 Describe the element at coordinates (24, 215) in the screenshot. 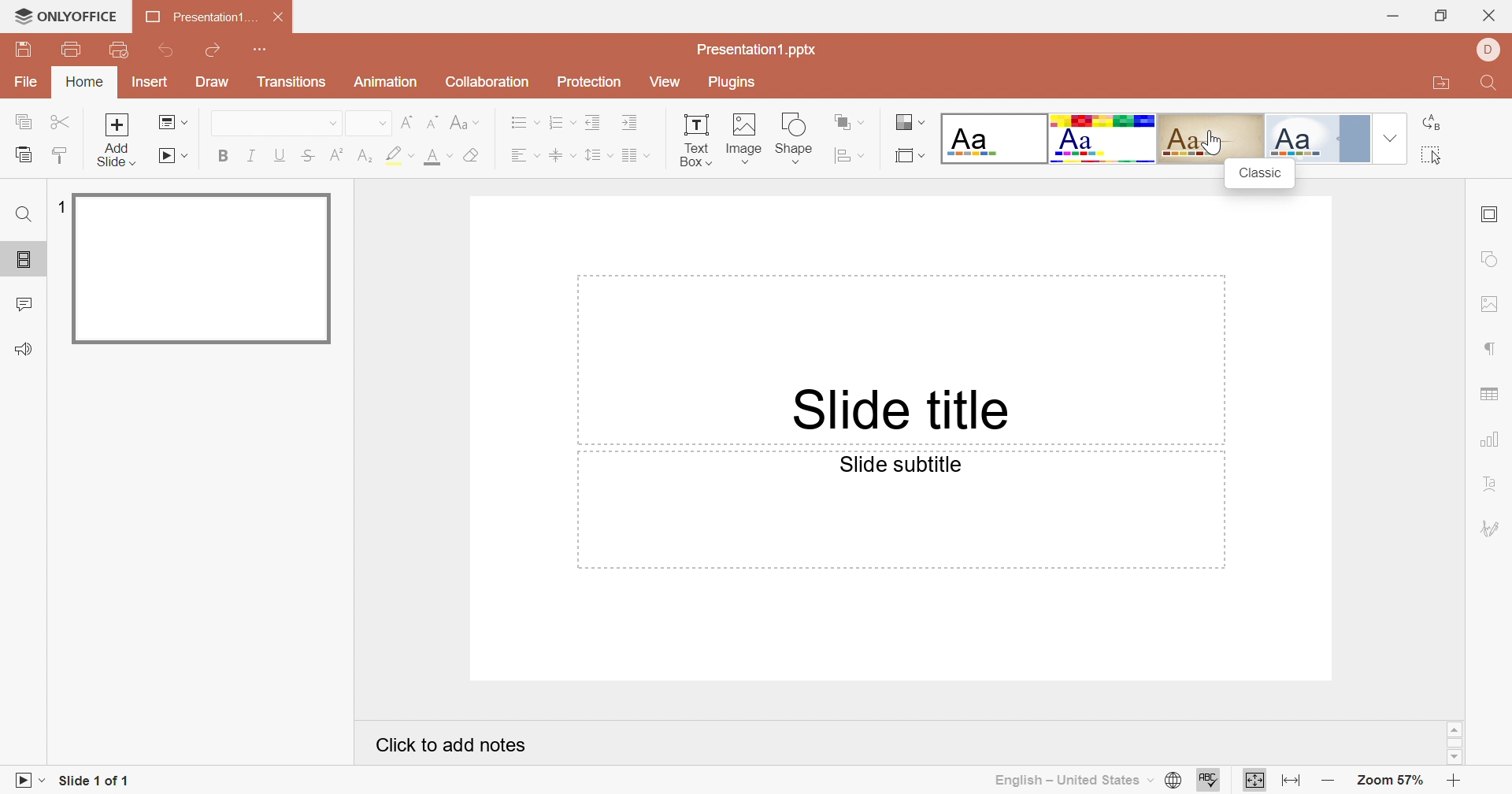

I see `Find` at that location.